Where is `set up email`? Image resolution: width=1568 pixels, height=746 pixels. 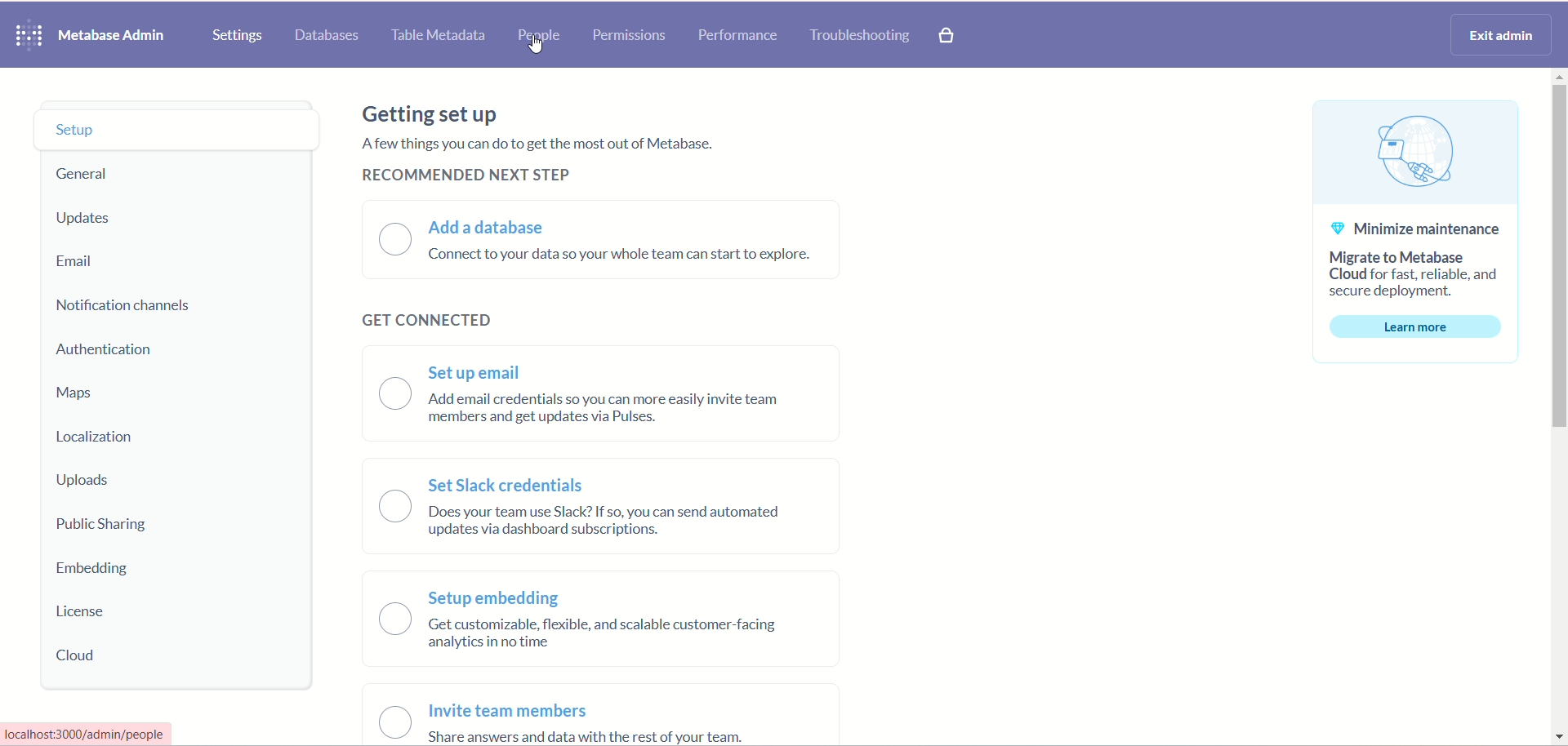
set up email is located at coordinates (479, 373).